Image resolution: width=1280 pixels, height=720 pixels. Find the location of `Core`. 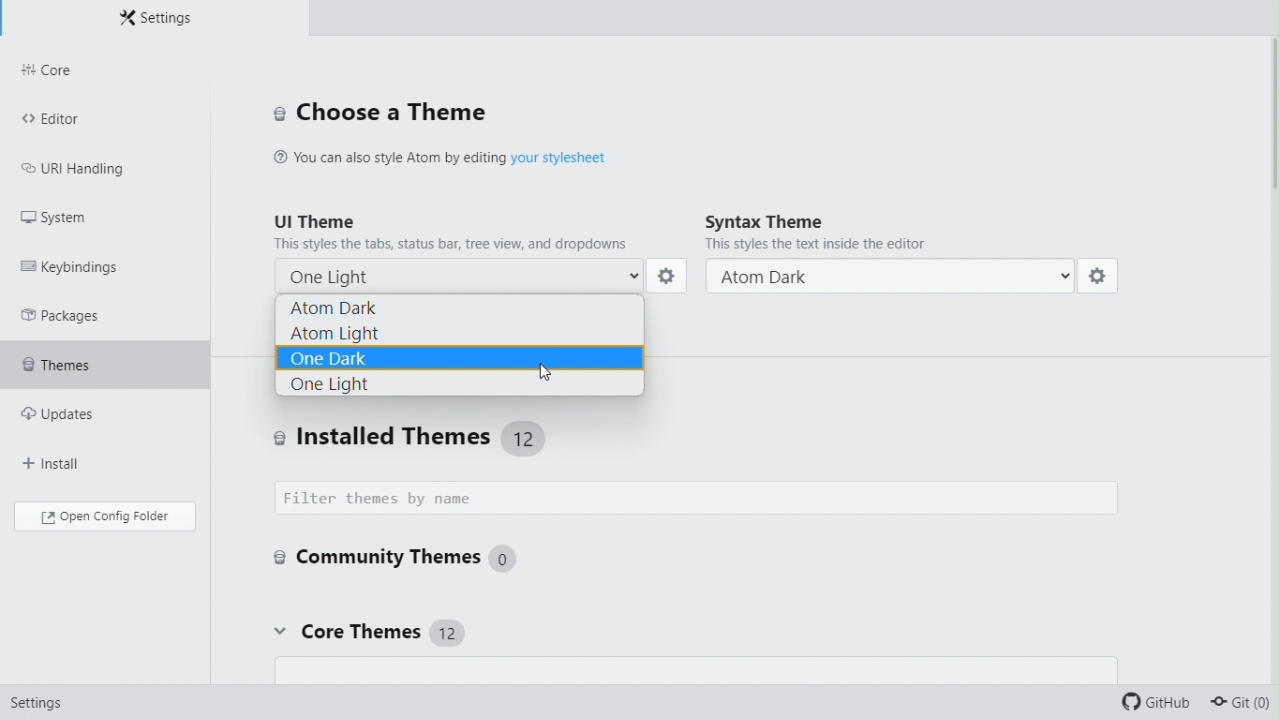

Core is located at coordinates (97, 72).